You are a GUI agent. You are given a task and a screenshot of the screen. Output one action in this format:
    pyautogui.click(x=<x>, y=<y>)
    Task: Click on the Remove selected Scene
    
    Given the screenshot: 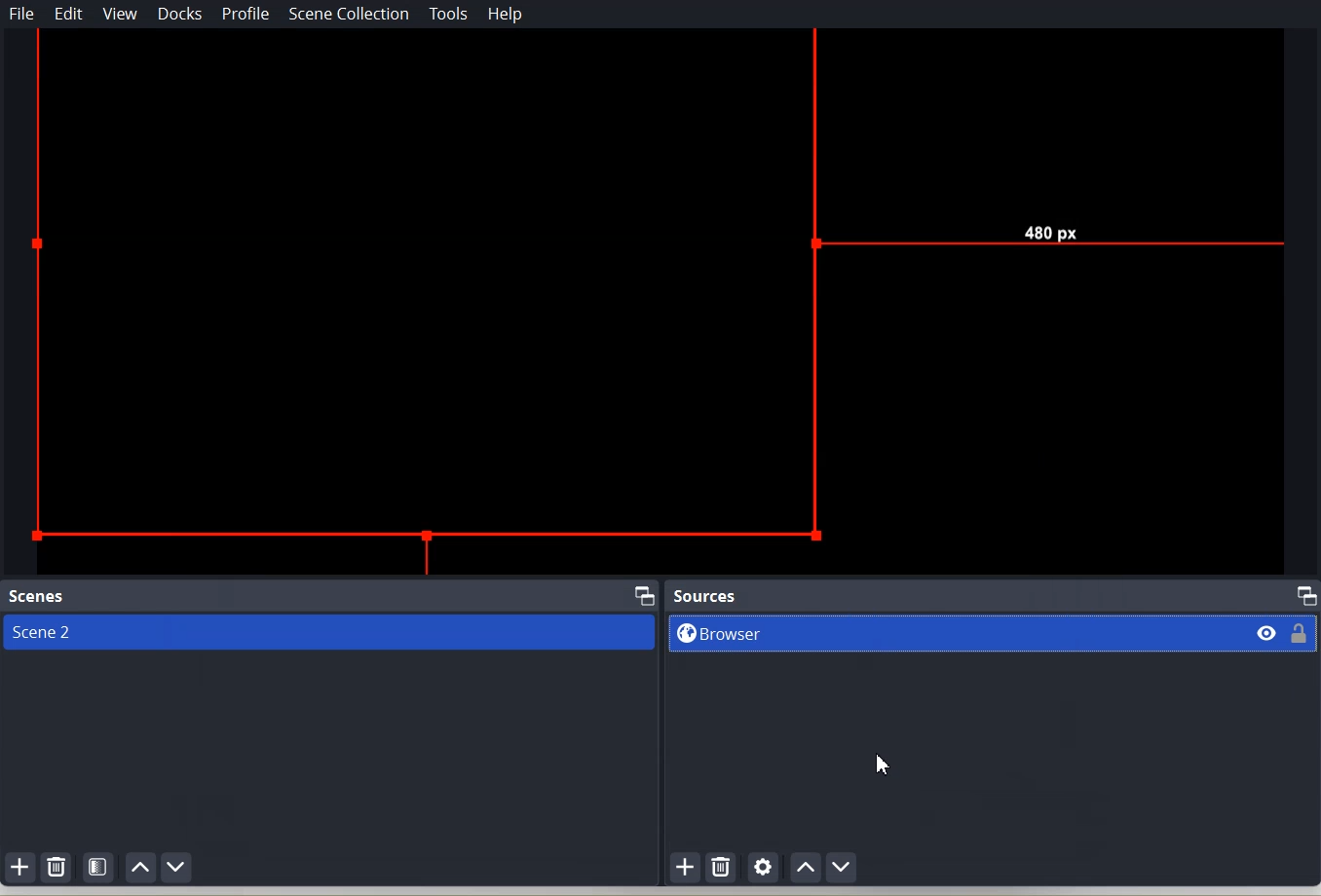 What is the action you would take?
    pyautogui.click(x=57, y=868)
    